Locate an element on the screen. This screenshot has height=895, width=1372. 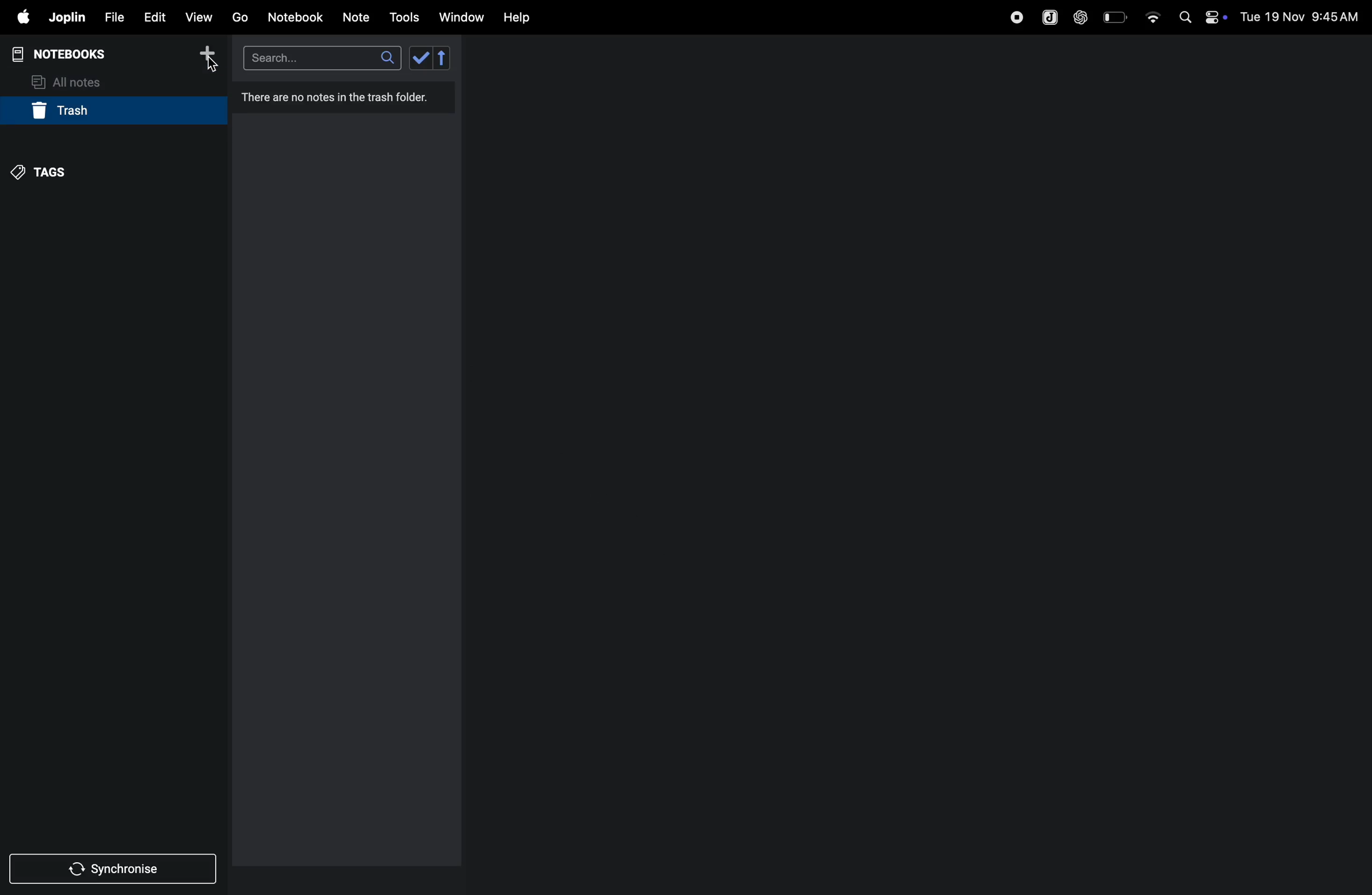
all notes is located at coordinates (73, 81).